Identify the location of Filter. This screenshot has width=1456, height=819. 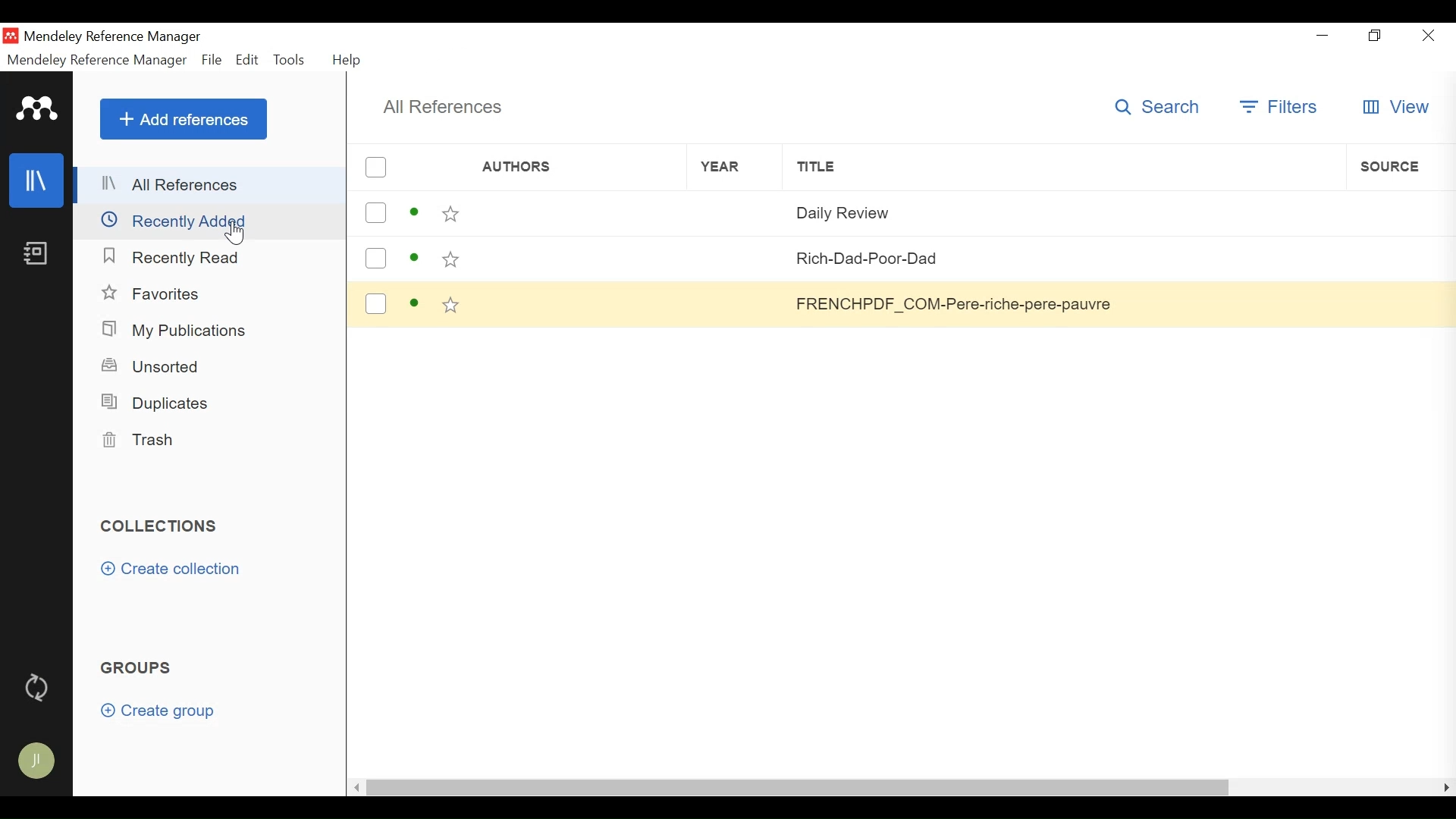
(1278, 108).